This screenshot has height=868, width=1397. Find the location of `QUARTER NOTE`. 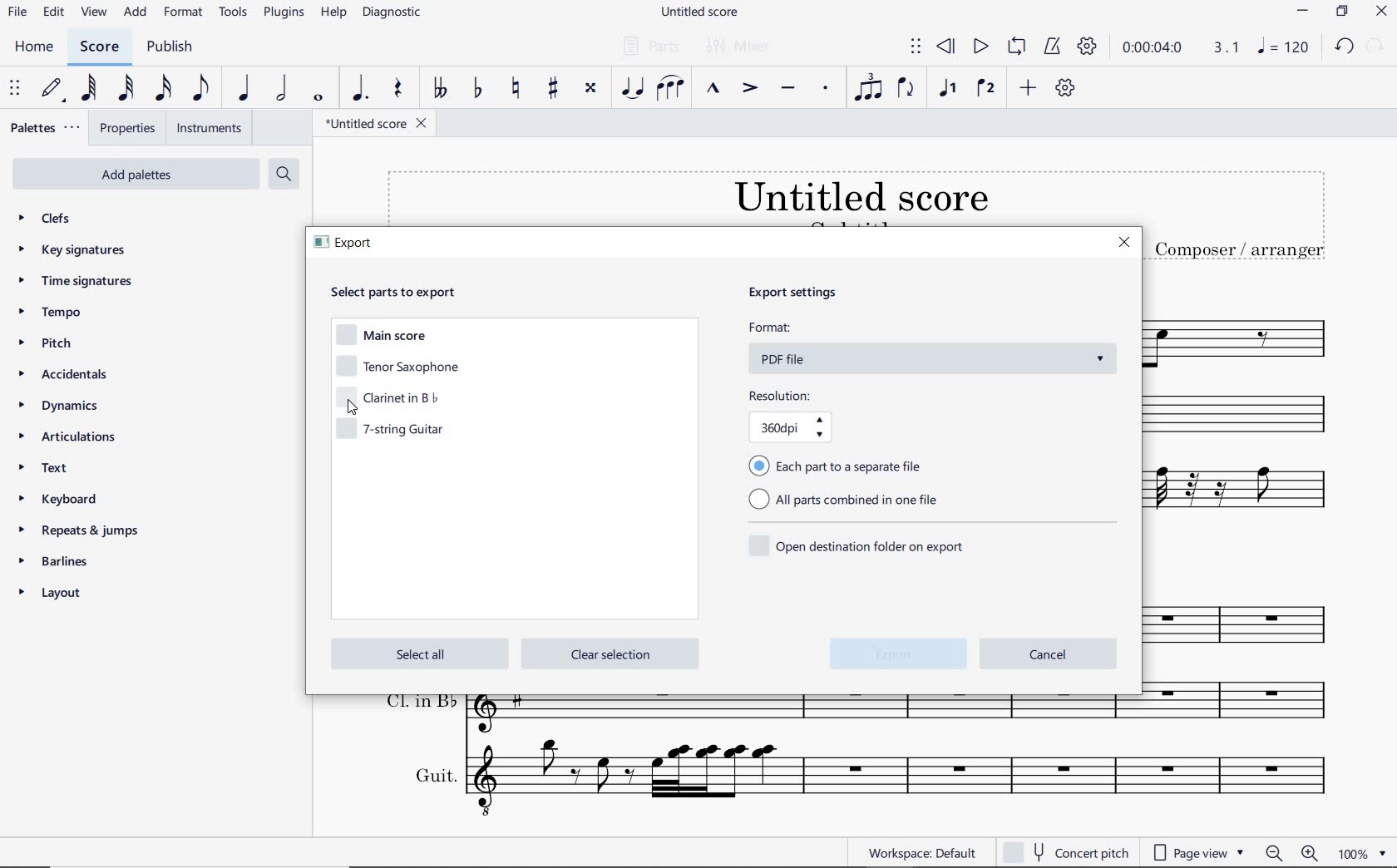

QUARTER NOTE is located at coordinates (244, 89).